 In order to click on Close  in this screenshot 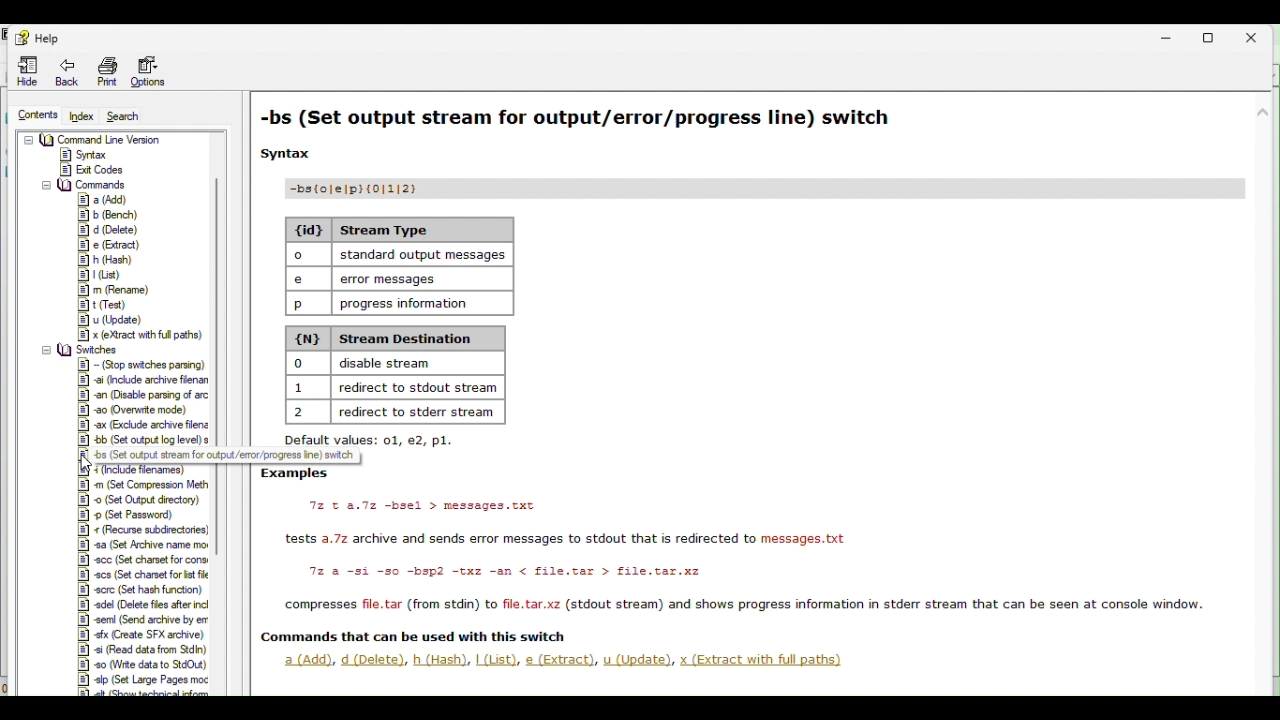, I will do `click(1262, 34)`.